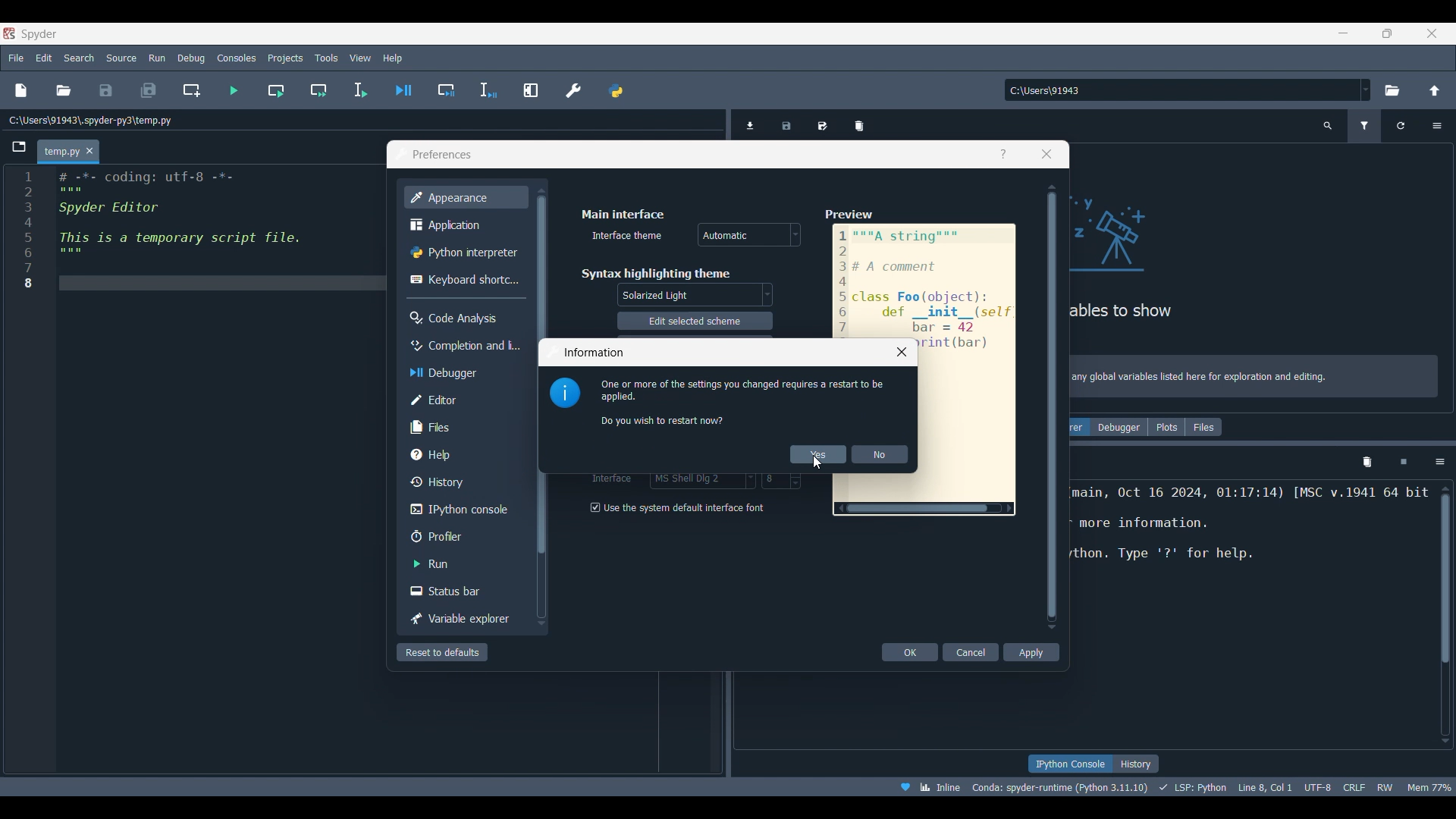 The image size is (1456, 819). What do you see at coordinates (463, 454) in the screenshot?
I see `Help` at bounding box center [463, 454].